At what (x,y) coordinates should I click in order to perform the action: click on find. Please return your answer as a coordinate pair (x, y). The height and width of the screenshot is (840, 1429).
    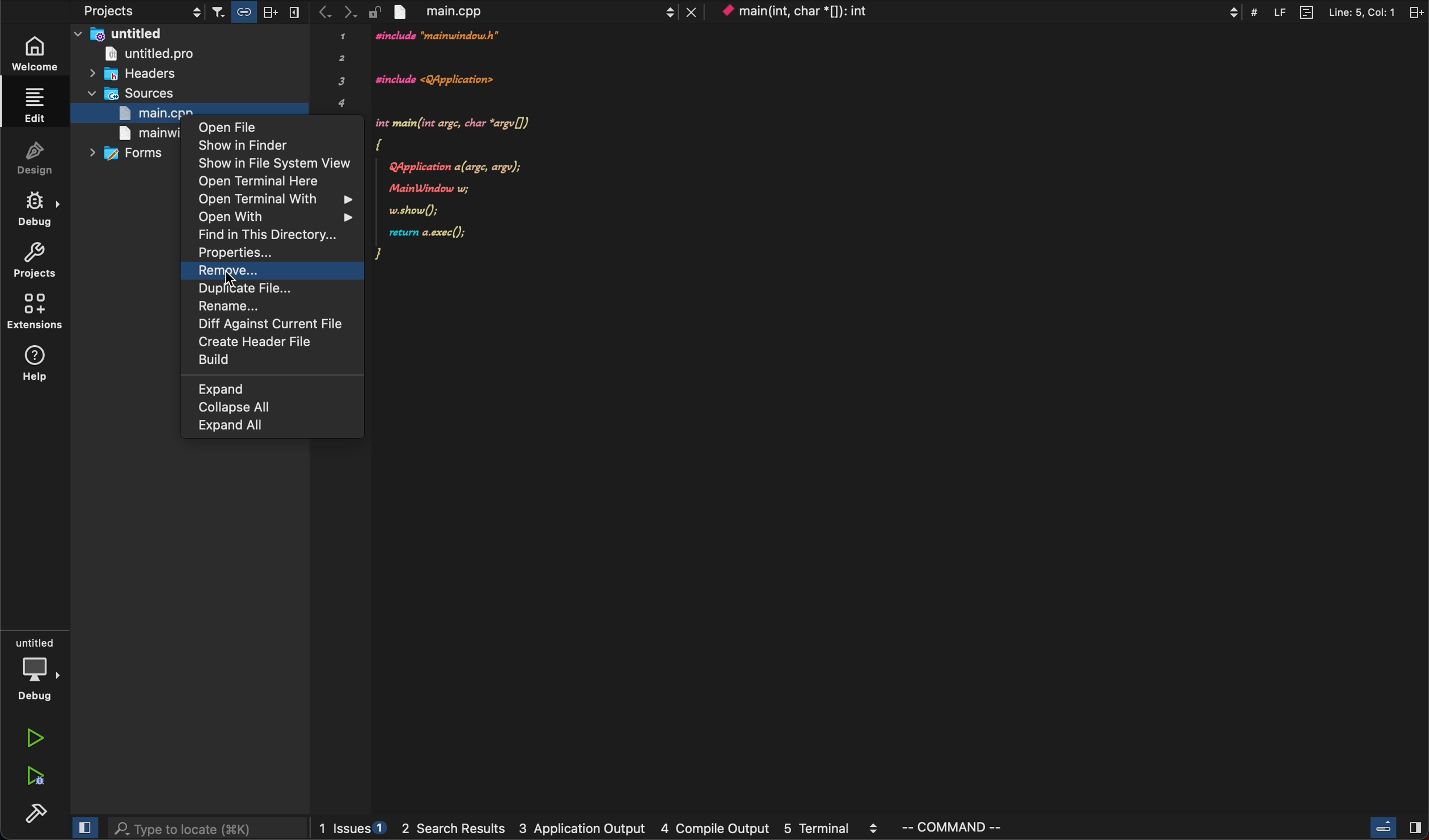
    Looking at the image, I should click on (264, 236).